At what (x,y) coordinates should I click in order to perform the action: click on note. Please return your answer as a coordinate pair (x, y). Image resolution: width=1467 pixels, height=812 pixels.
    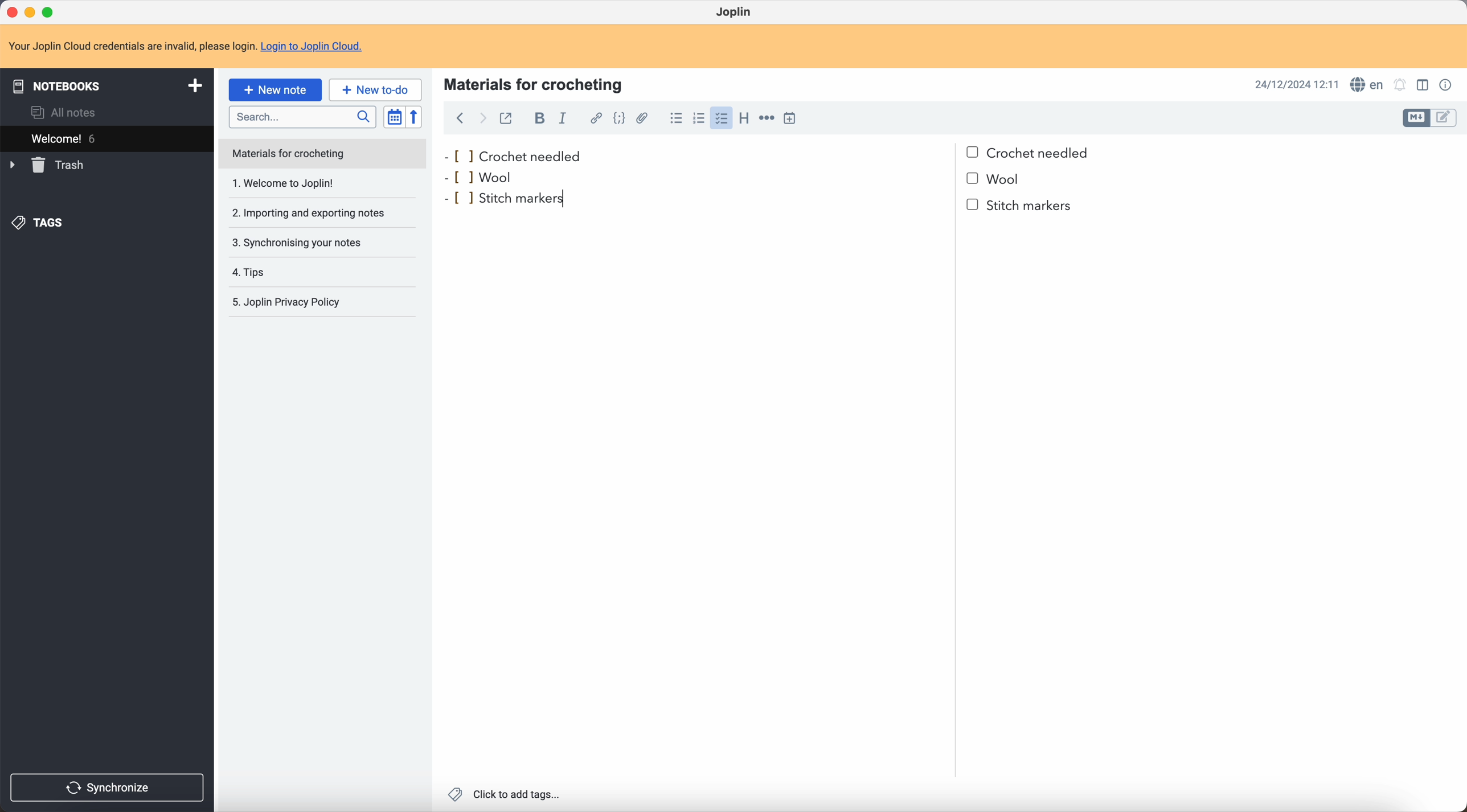
    Looking at the image, I should click on (323, 154).